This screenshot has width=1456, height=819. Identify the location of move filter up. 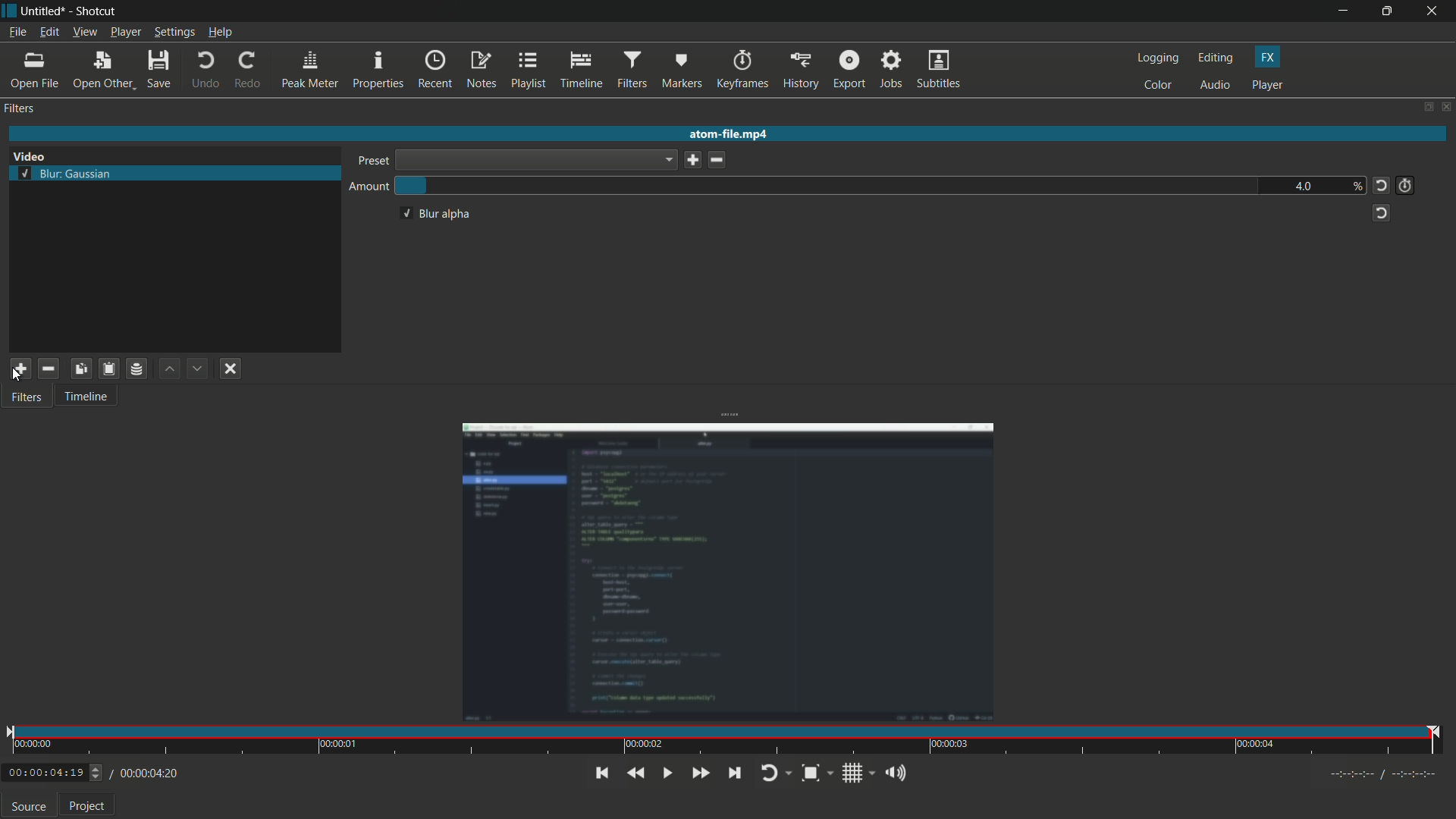
(171, 369).